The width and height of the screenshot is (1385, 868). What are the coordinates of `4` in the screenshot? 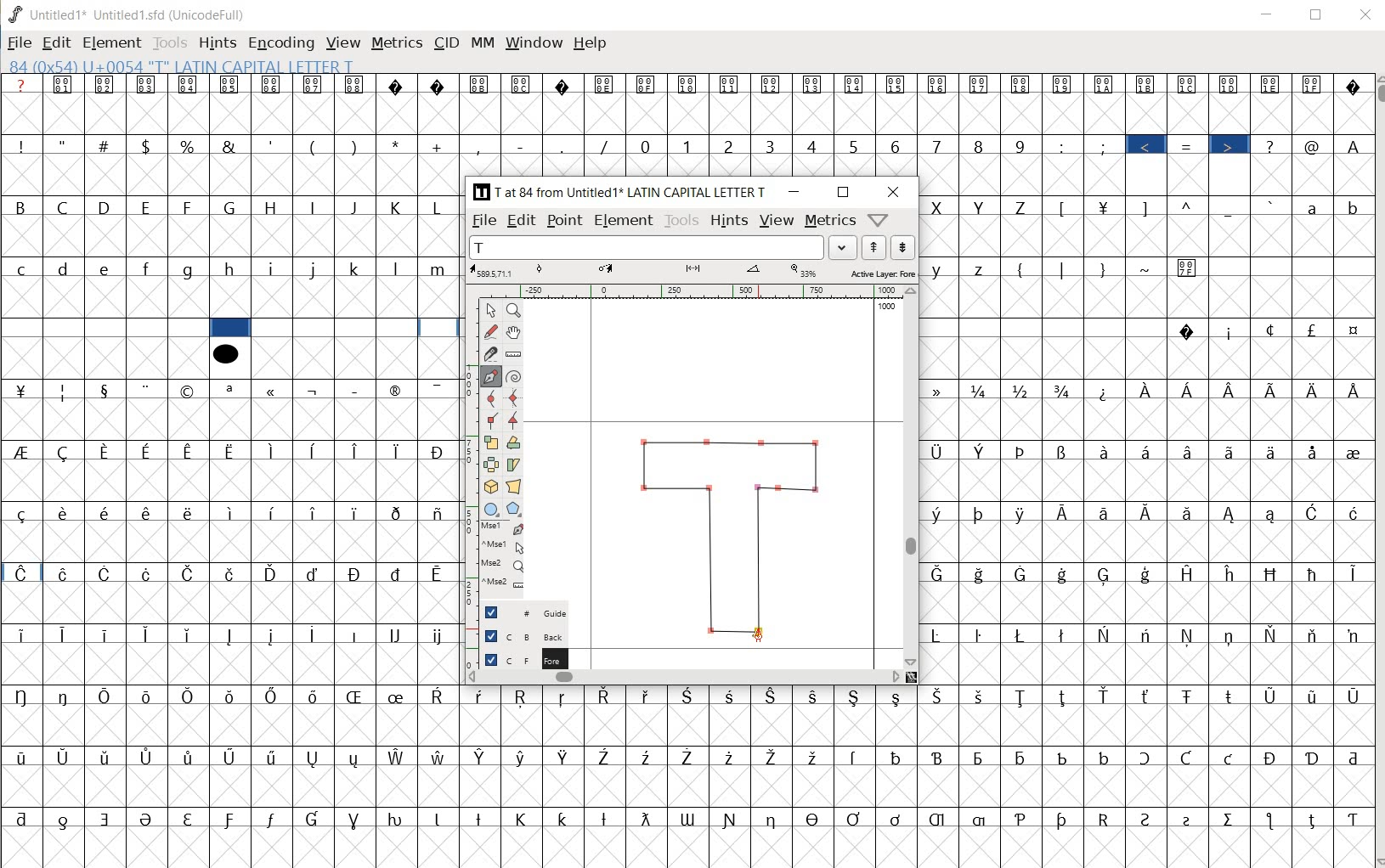 It's located at (815, 145).